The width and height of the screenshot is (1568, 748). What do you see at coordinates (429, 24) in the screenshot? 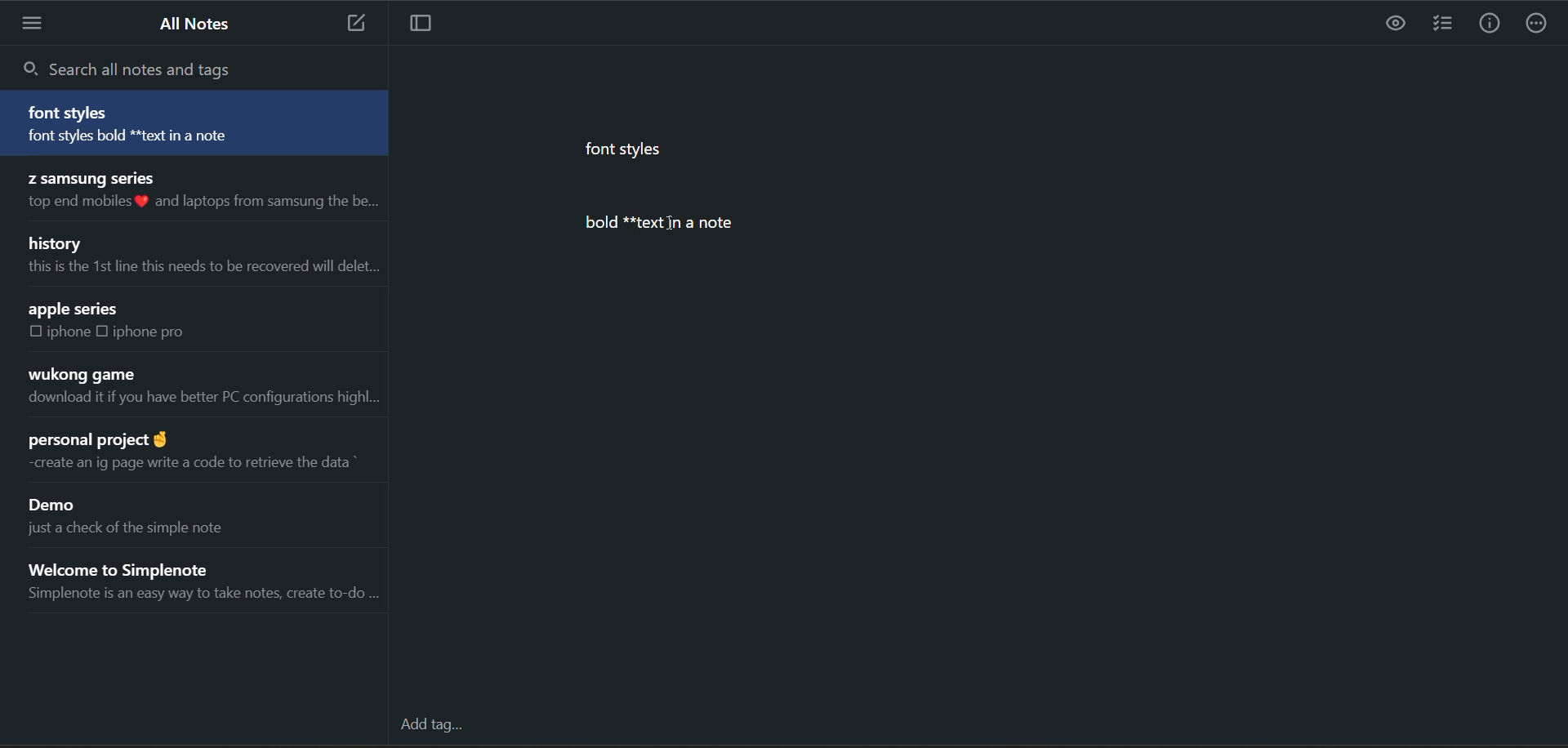
I see `toggle focus mode` at bounding box center [429, 24].